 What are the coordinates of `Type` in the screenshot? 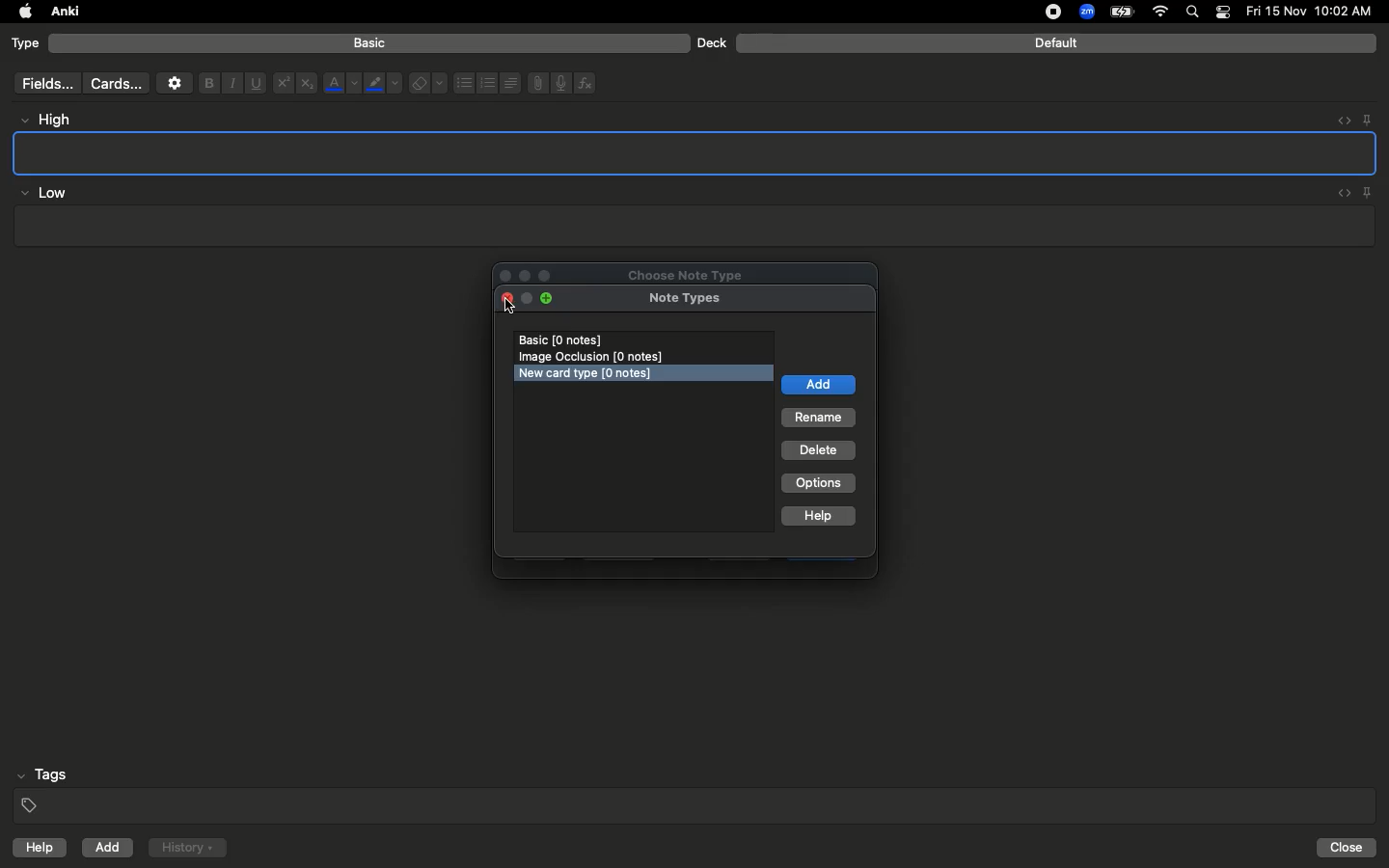 It's located at (26, 44).